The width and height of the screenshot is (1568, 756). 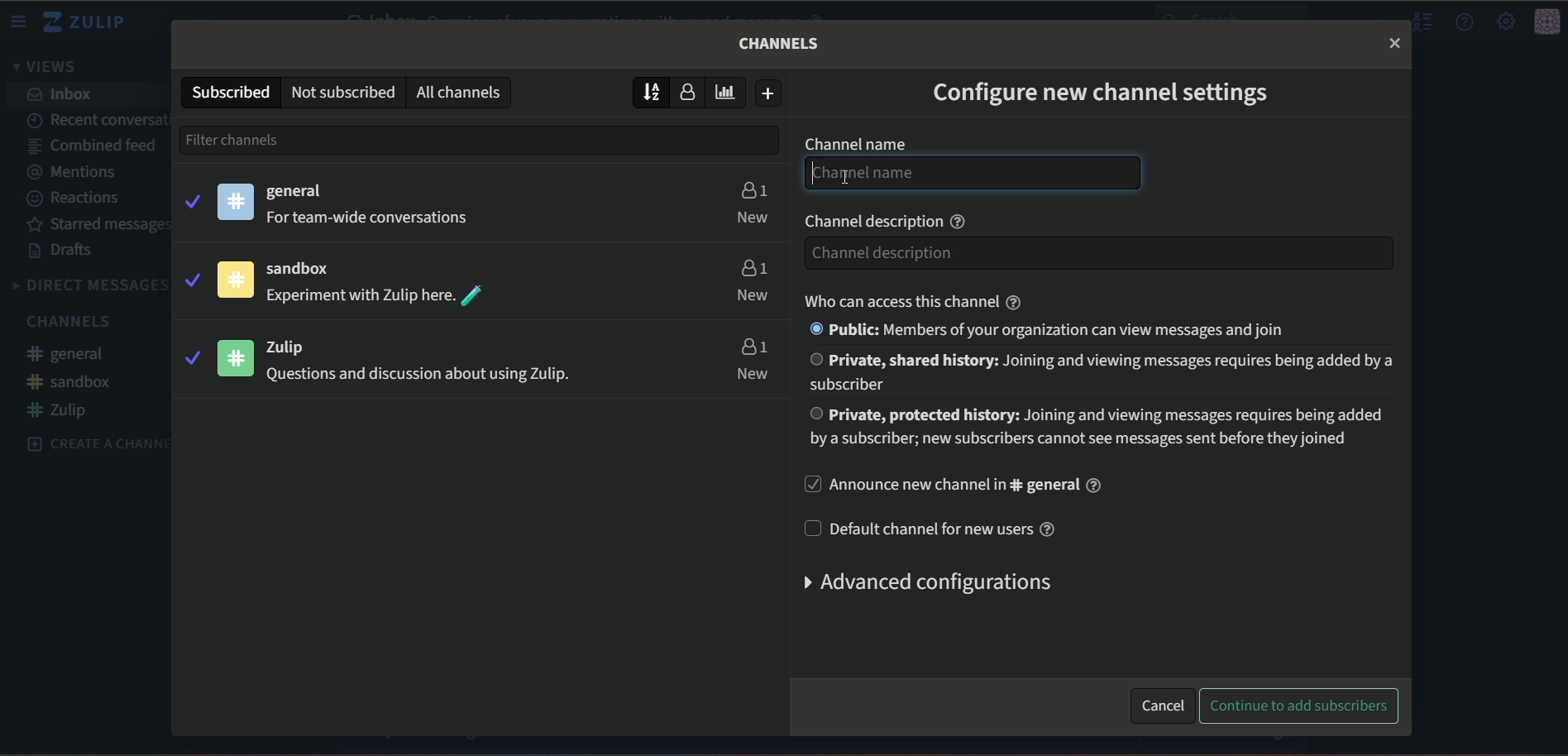 I want to click on not subscribed, so click(x=342, y=91).